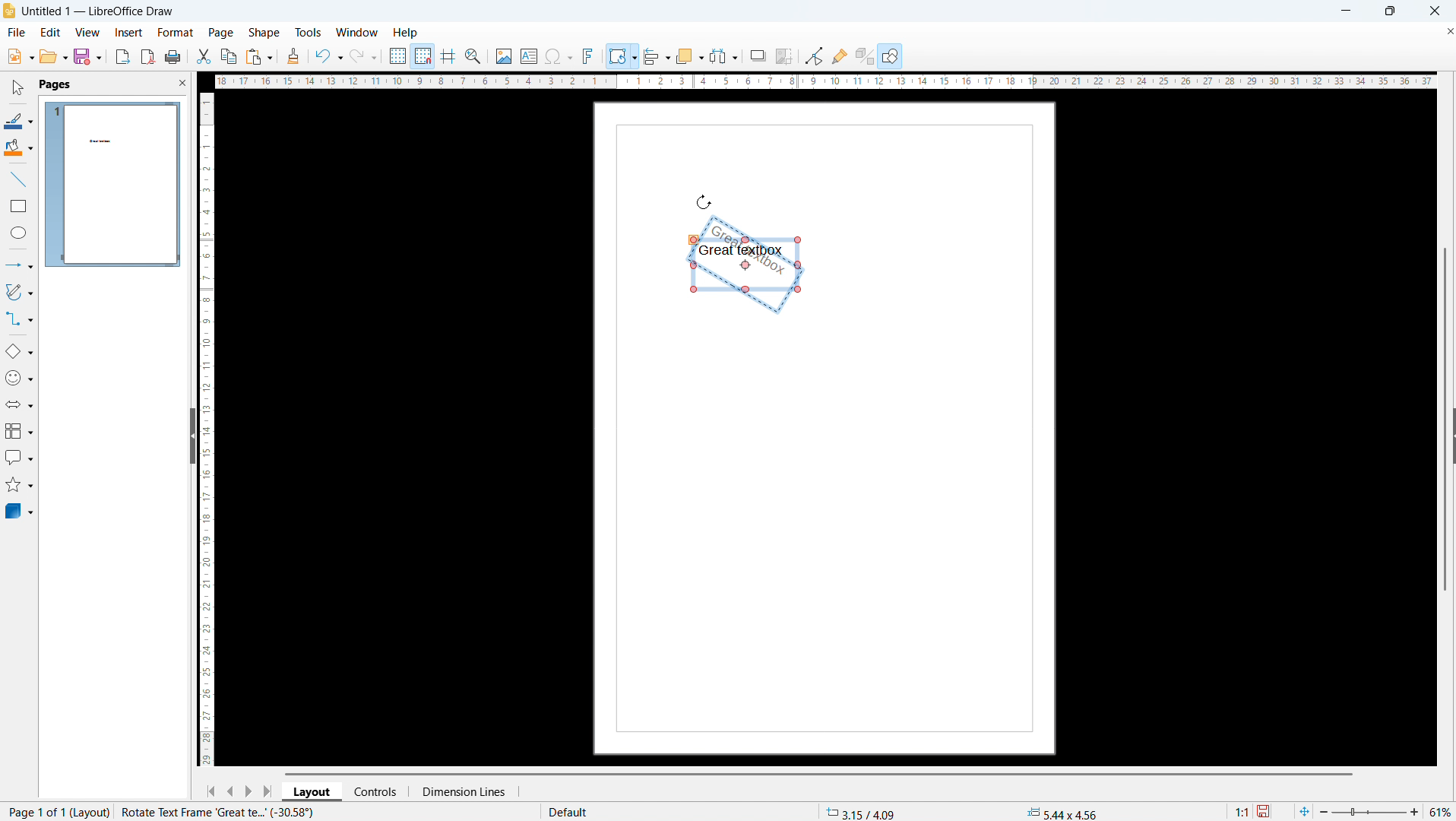 The height and width of the screenshot is (821, 1456). Describe the element at coordinates (707, 195) in the screenshot. I see `Cursor ` at that location.